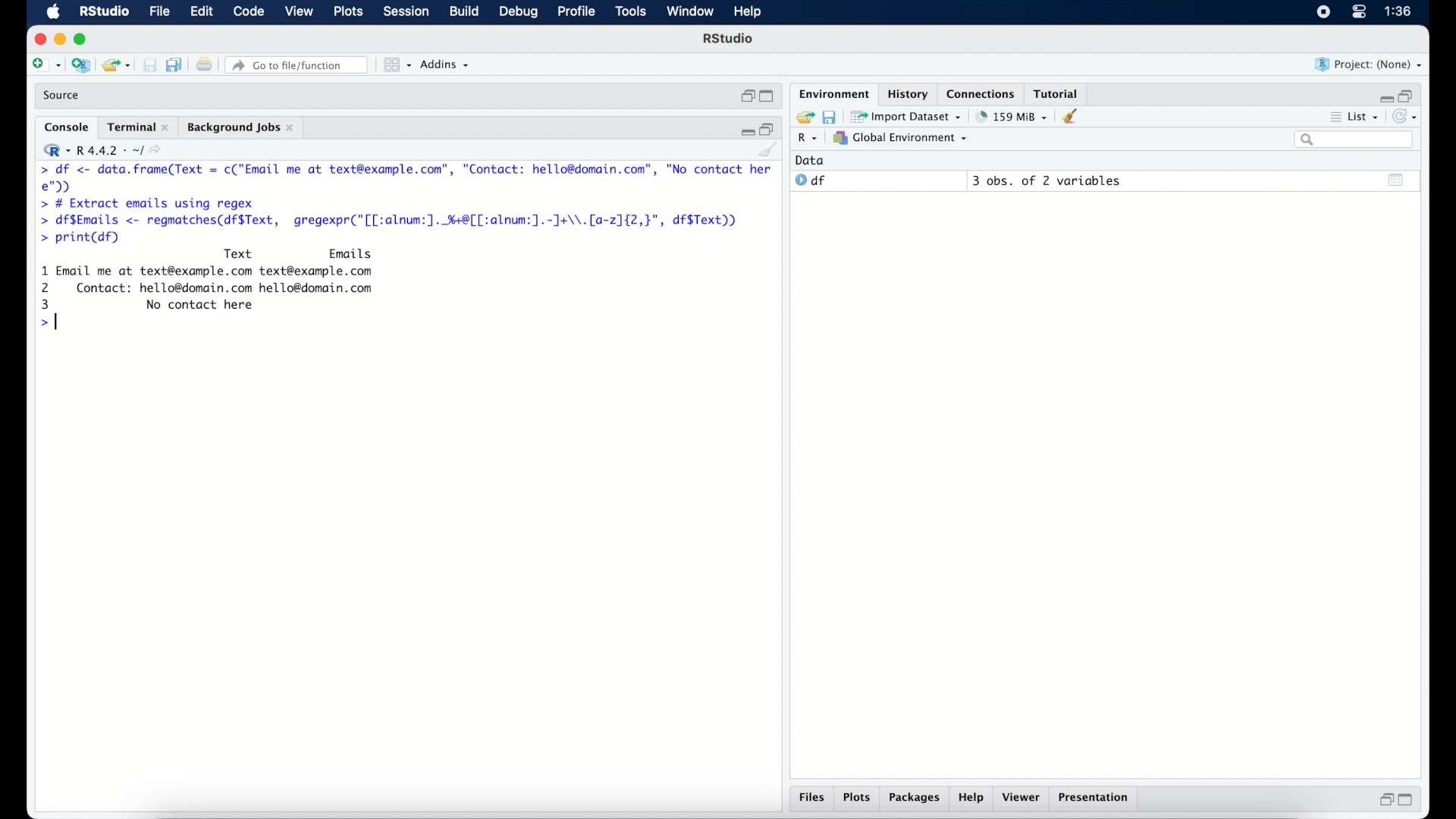  I want to click on minimize, so click(1386, 96).